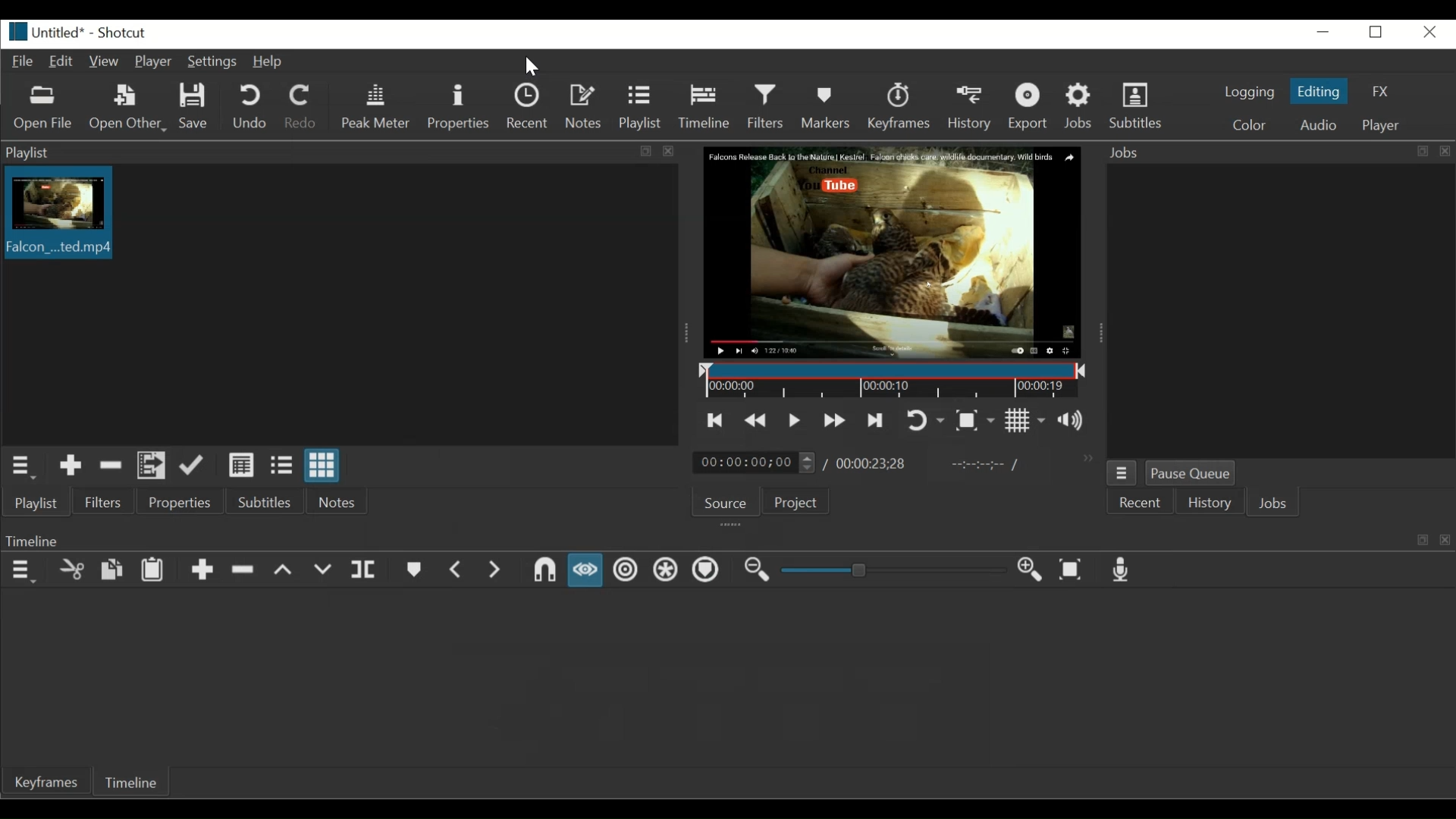 This screenshot has height=819, width=1456. I want to click on Zoom timeline to fit, so click(1071, 570).